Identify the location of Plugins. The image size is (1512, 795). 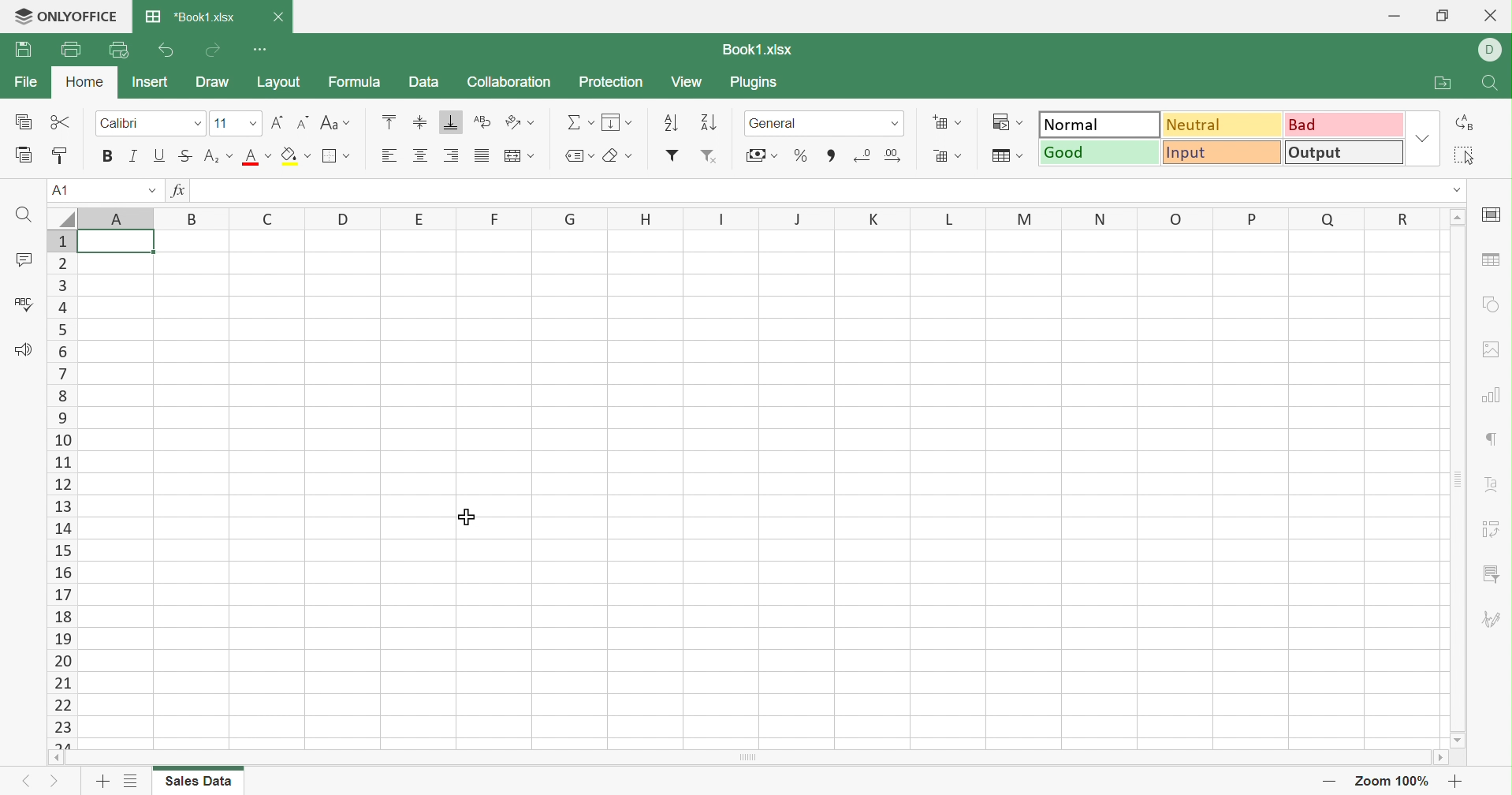
(758, 84).